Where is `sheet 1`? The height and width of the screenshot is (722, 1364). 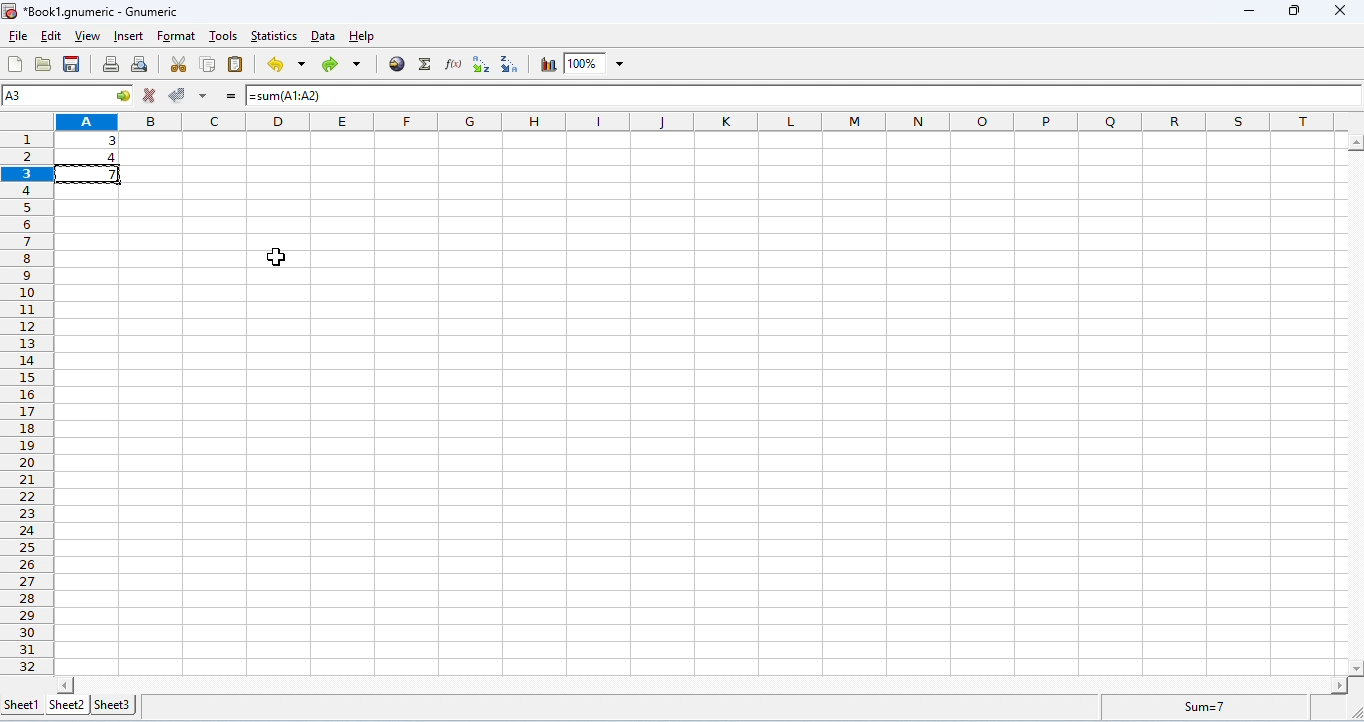 sheet 1 is located at coordinates (20, 703).